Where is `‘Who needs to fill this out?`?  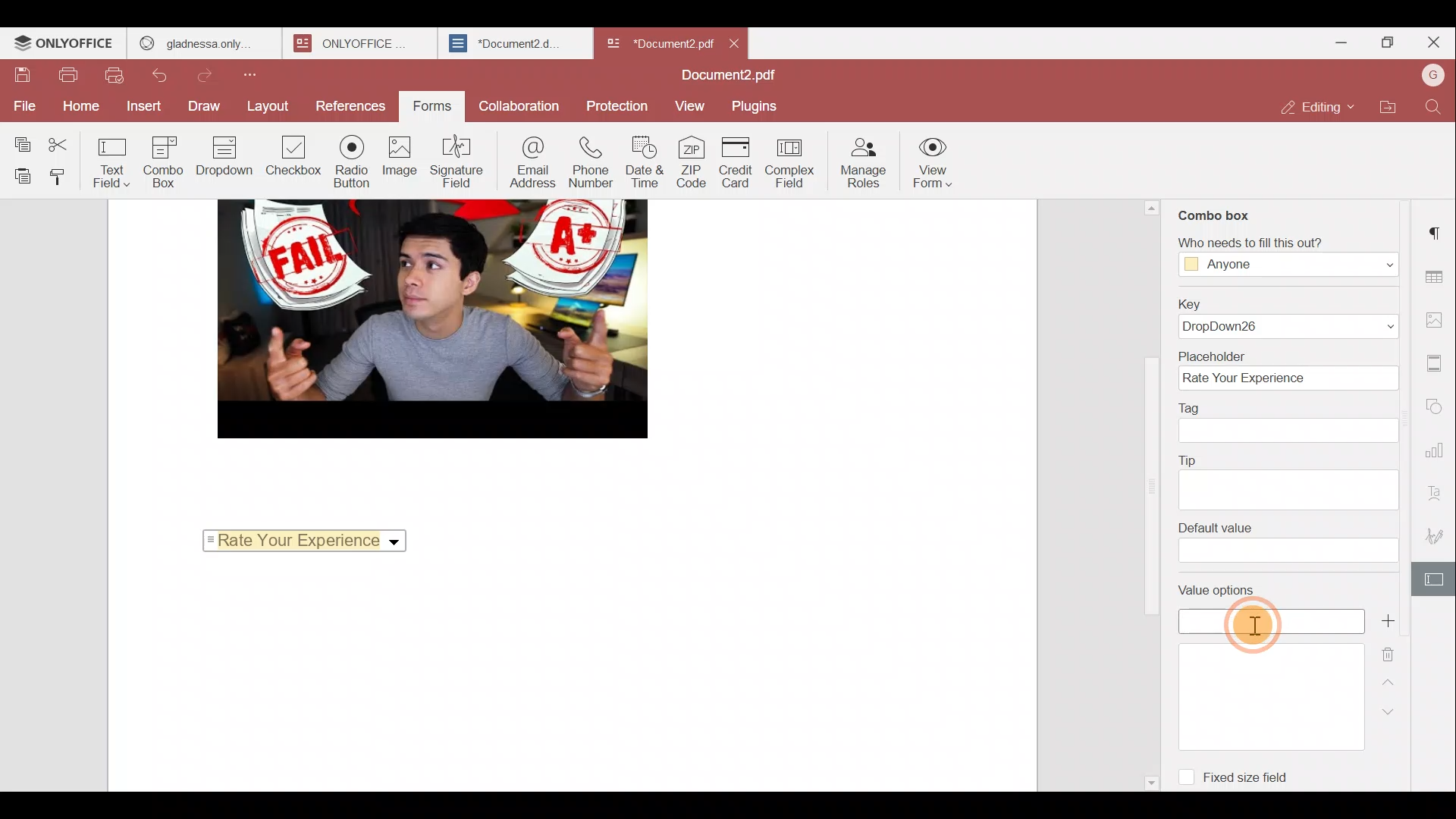 ‘Who needs to fill this out? is located at coordinates (1280, 256).